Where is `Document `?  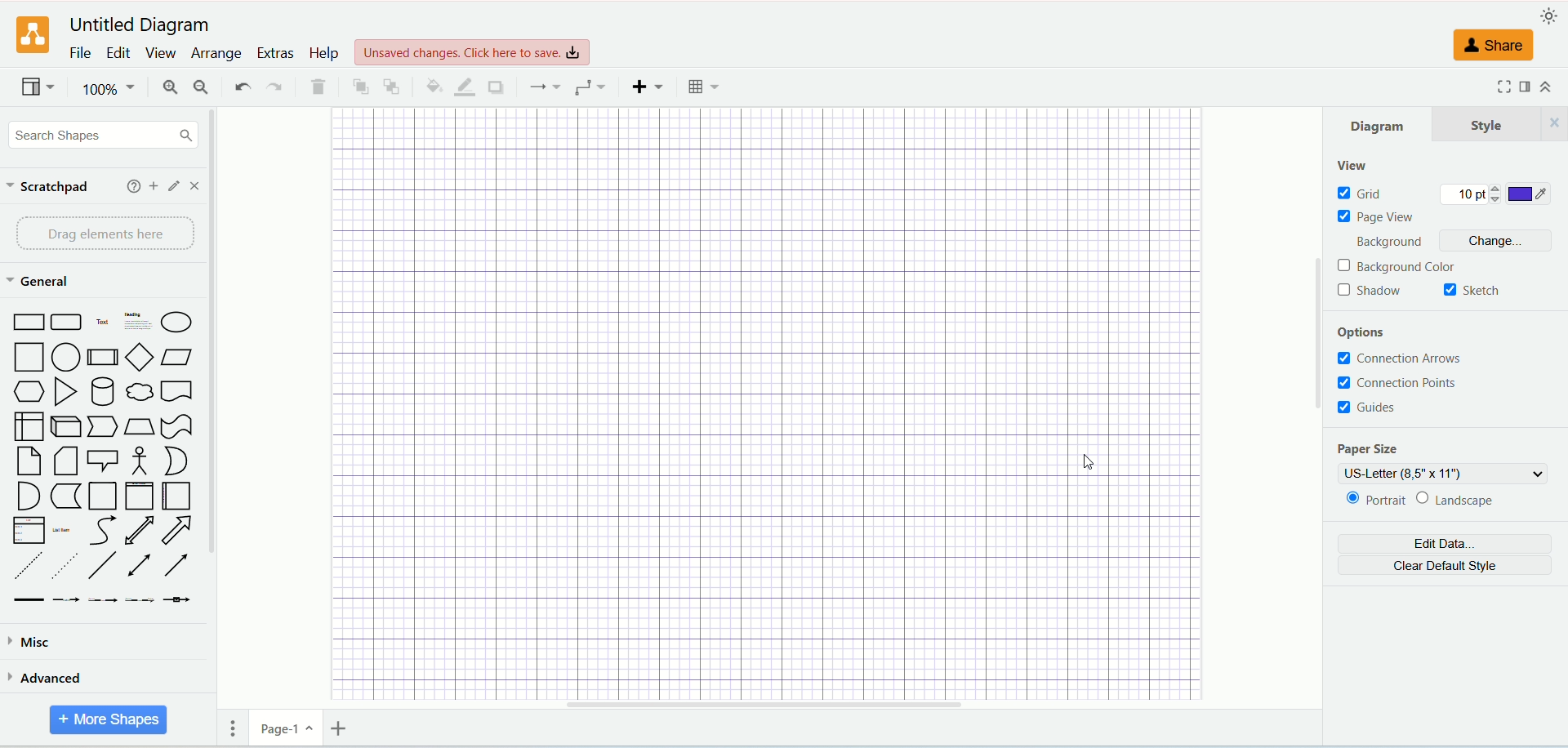 Document  is located at coordinates (178, 394).